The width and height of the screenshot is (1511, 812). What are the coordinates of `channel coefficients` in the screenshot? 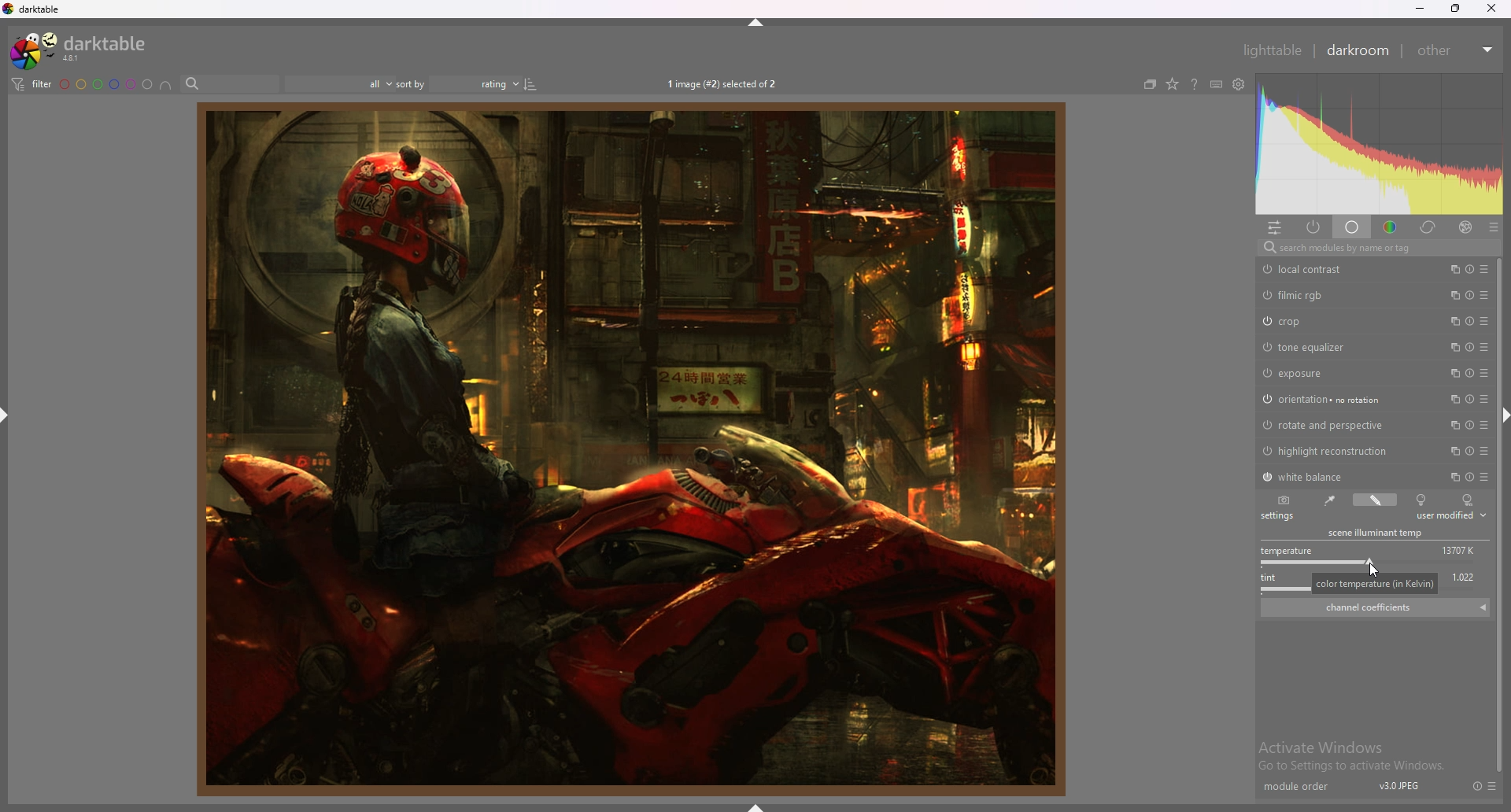 It's located at (1376, 607).